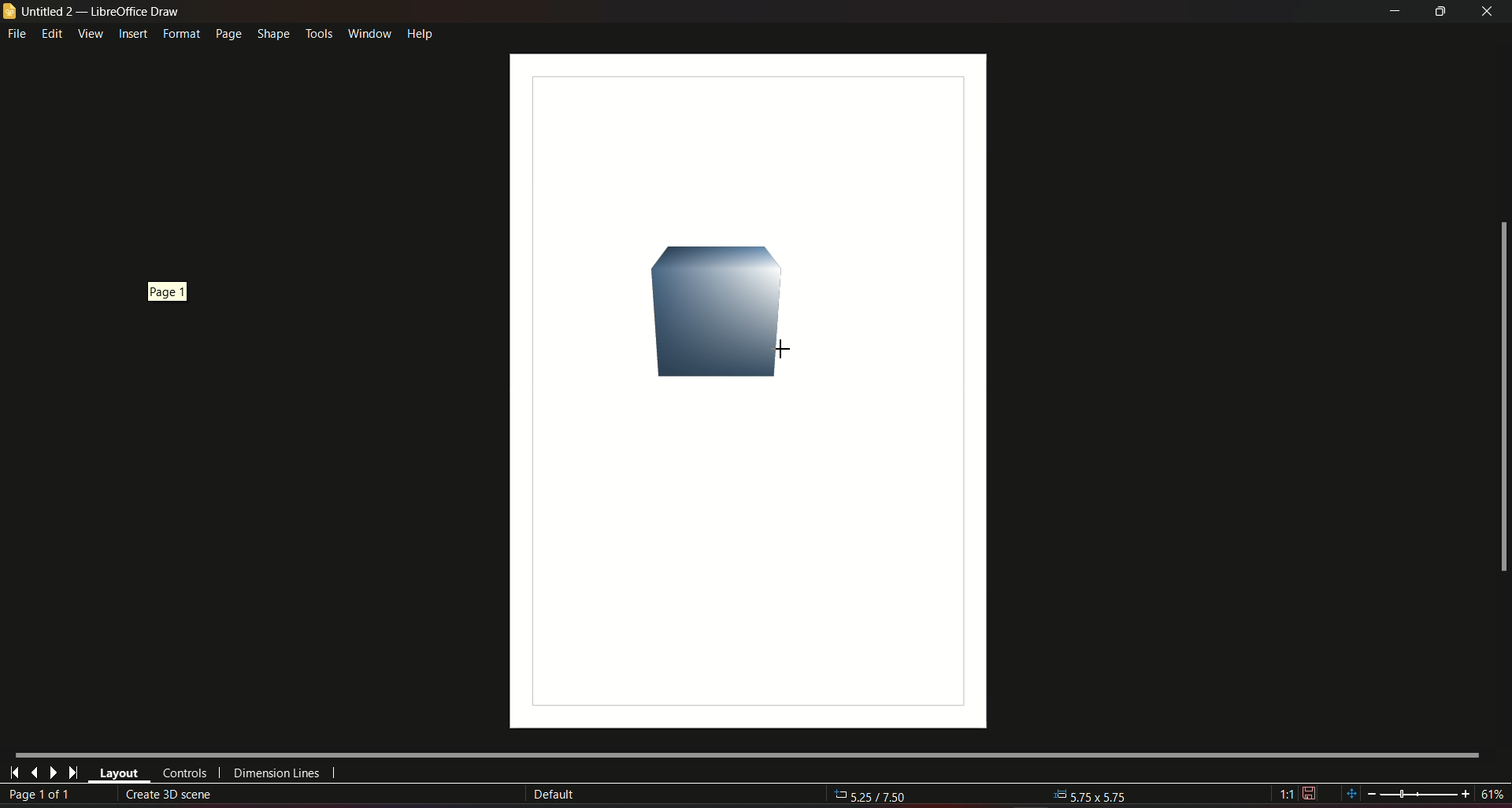 The height and width of the screenshot is (808, 1512). Describe the element at coordinates (1298, 794) in the screenshot. I see `1:1` at that location.